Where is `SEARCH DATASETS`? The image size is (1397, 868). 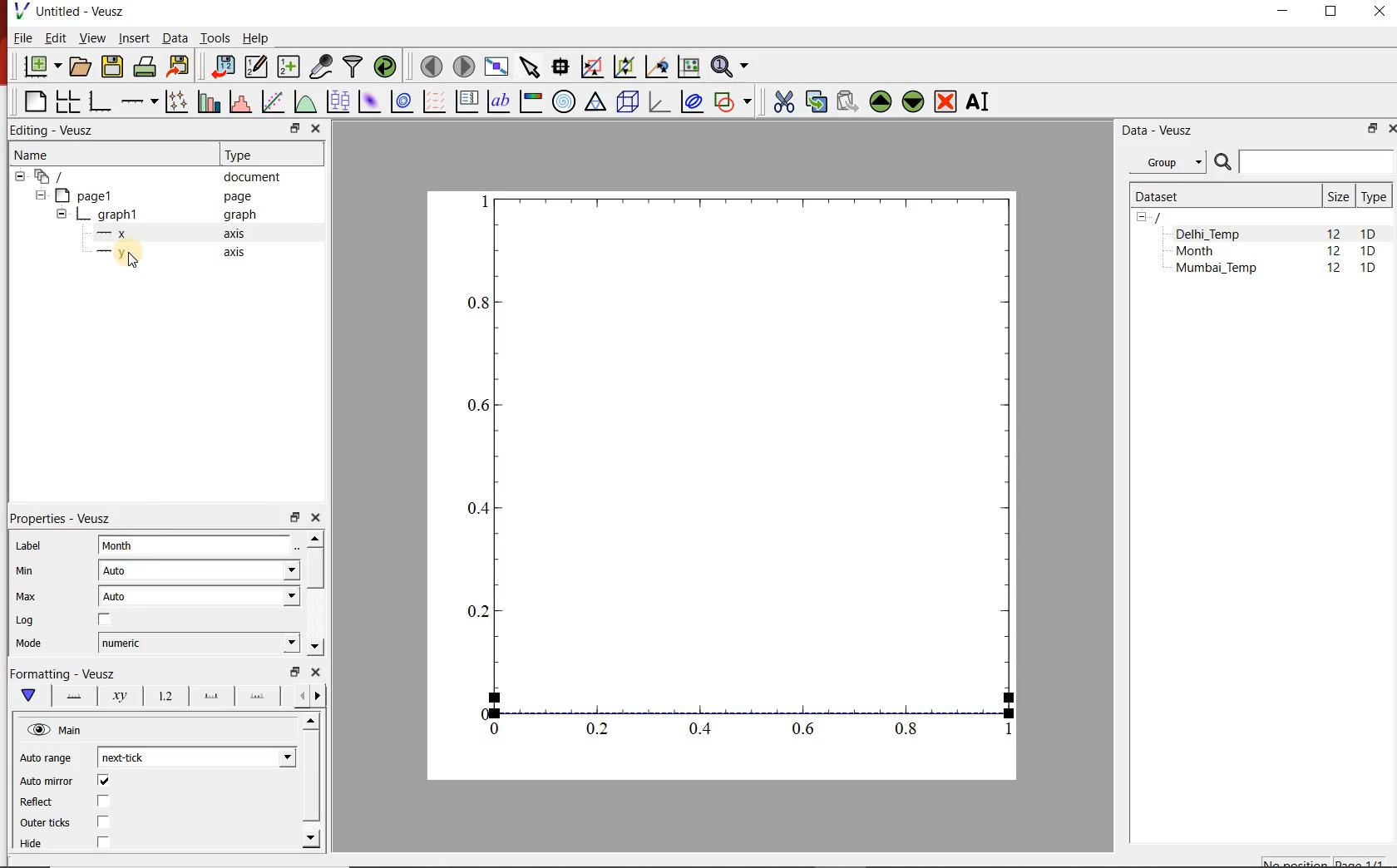
SEARCH DATASETS is located at coordinates (1303, 163).